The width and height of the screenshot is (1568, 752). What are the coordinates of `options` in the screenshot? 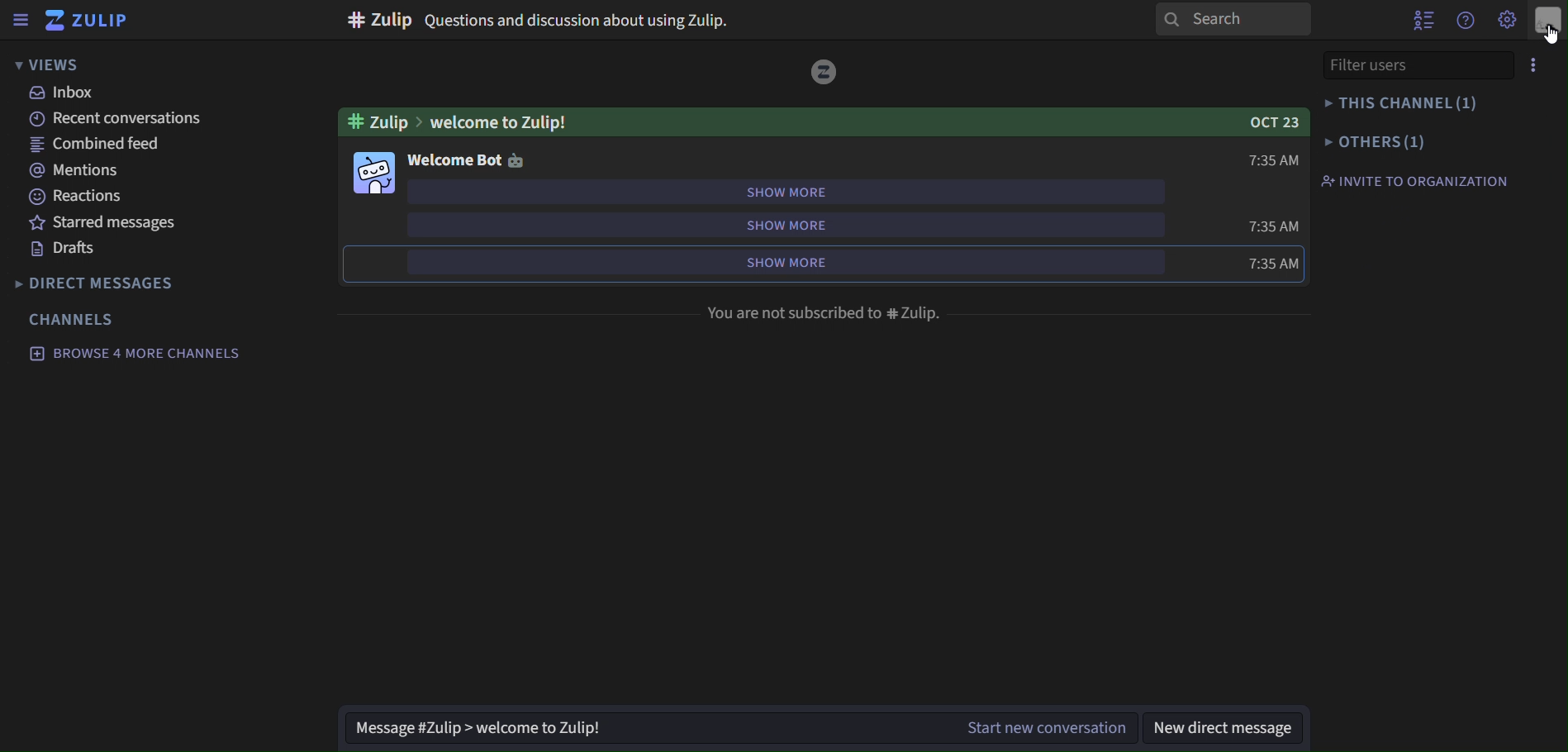 It's located at (1535, 63).